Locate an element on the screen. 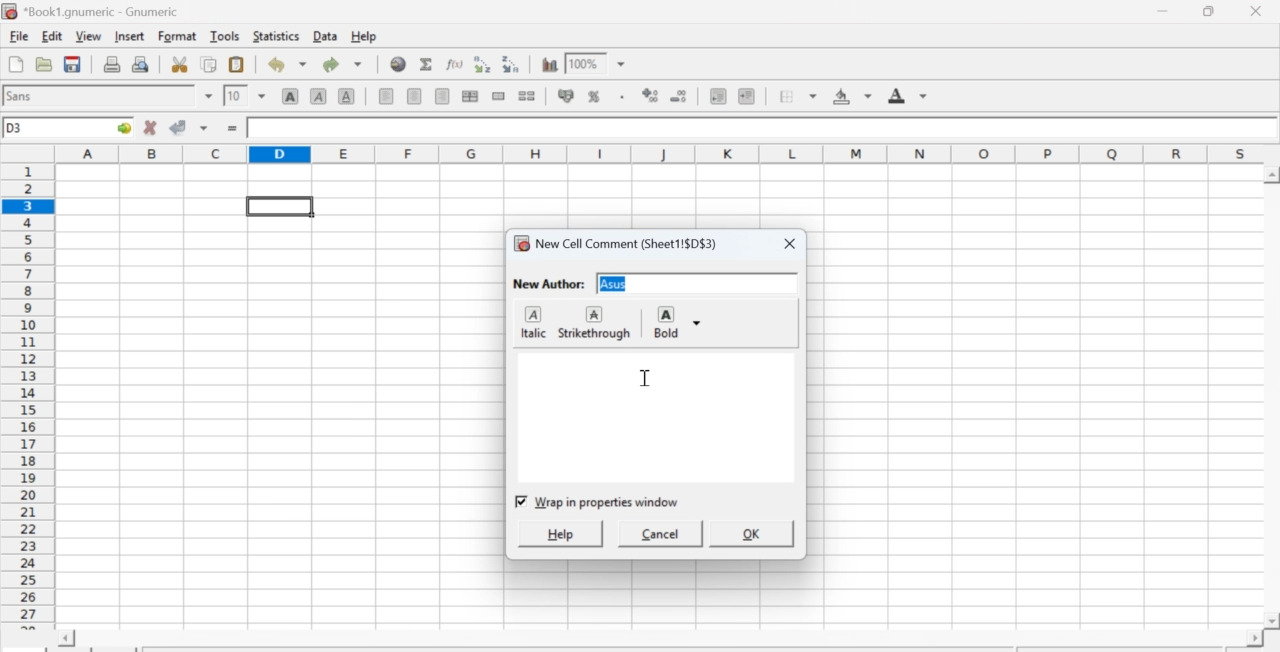  Sort ascending is located at coordinates (482, 65).